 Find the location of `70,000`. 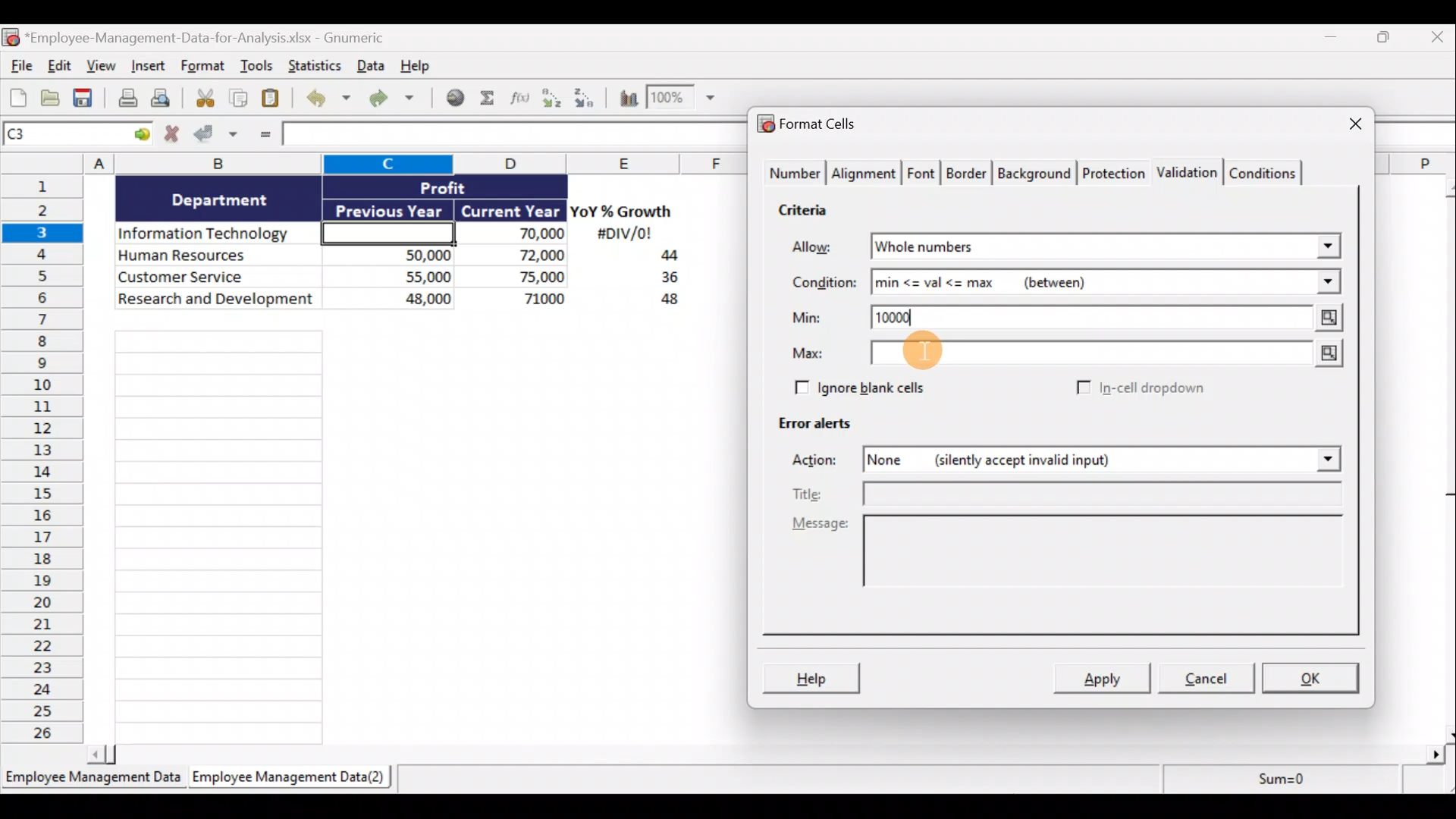

70,000 is located at coordinates (519, 234).